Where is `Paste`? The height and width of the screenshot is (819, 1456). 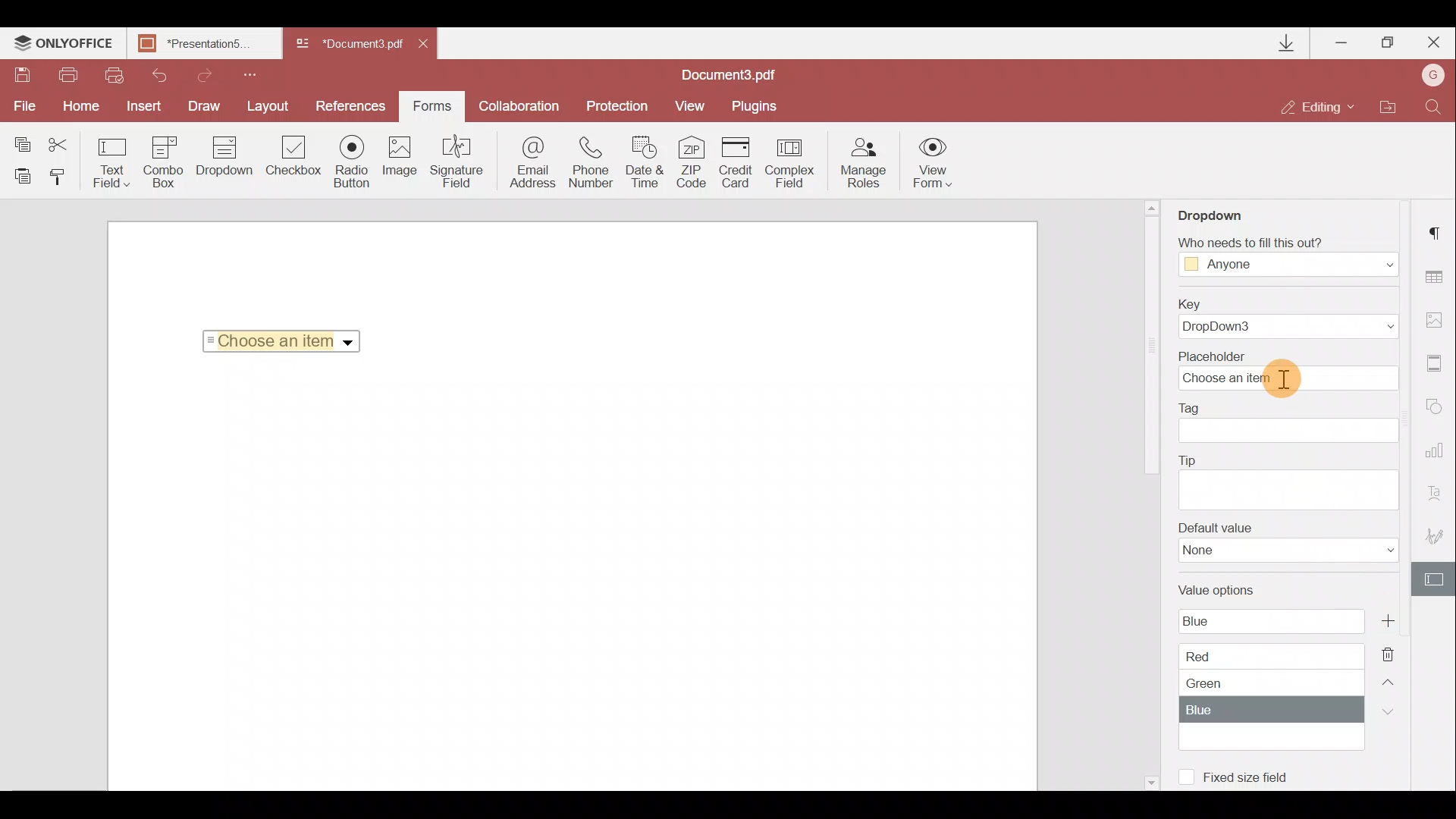 Paste is located at coordinates (21, 178).